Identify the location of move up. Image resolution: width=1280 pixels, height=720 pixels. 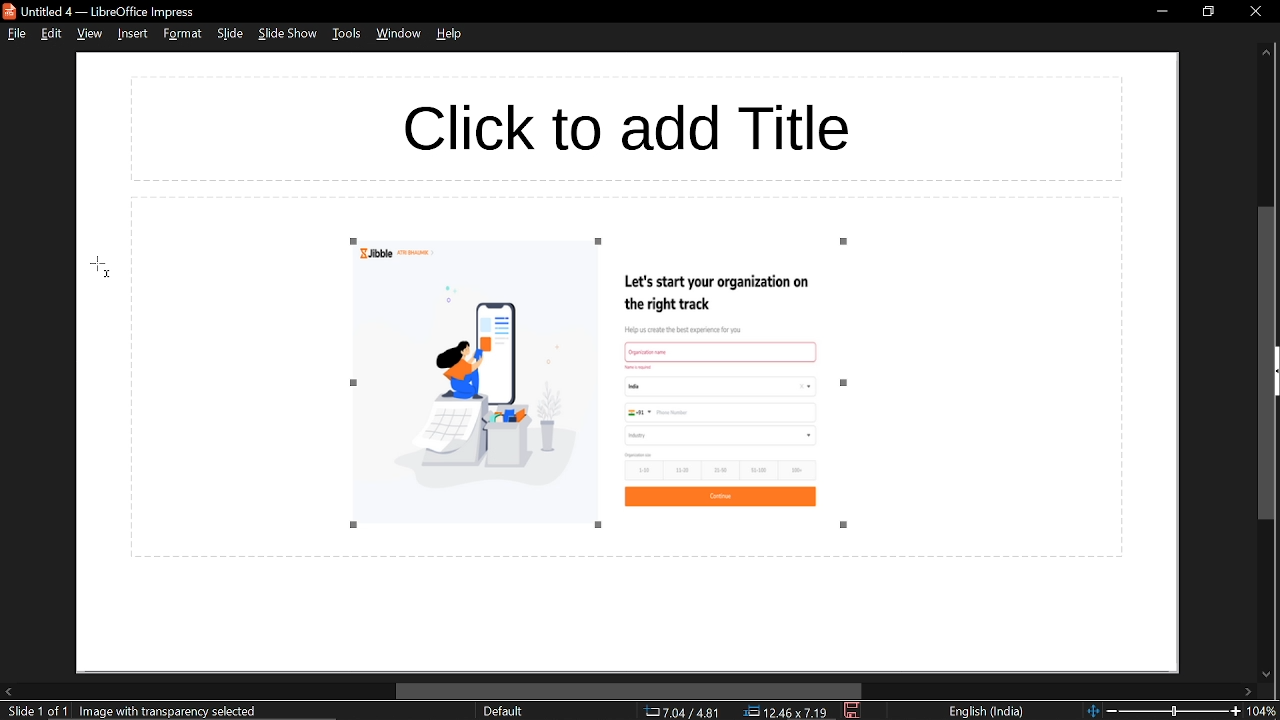
(1266, 56).